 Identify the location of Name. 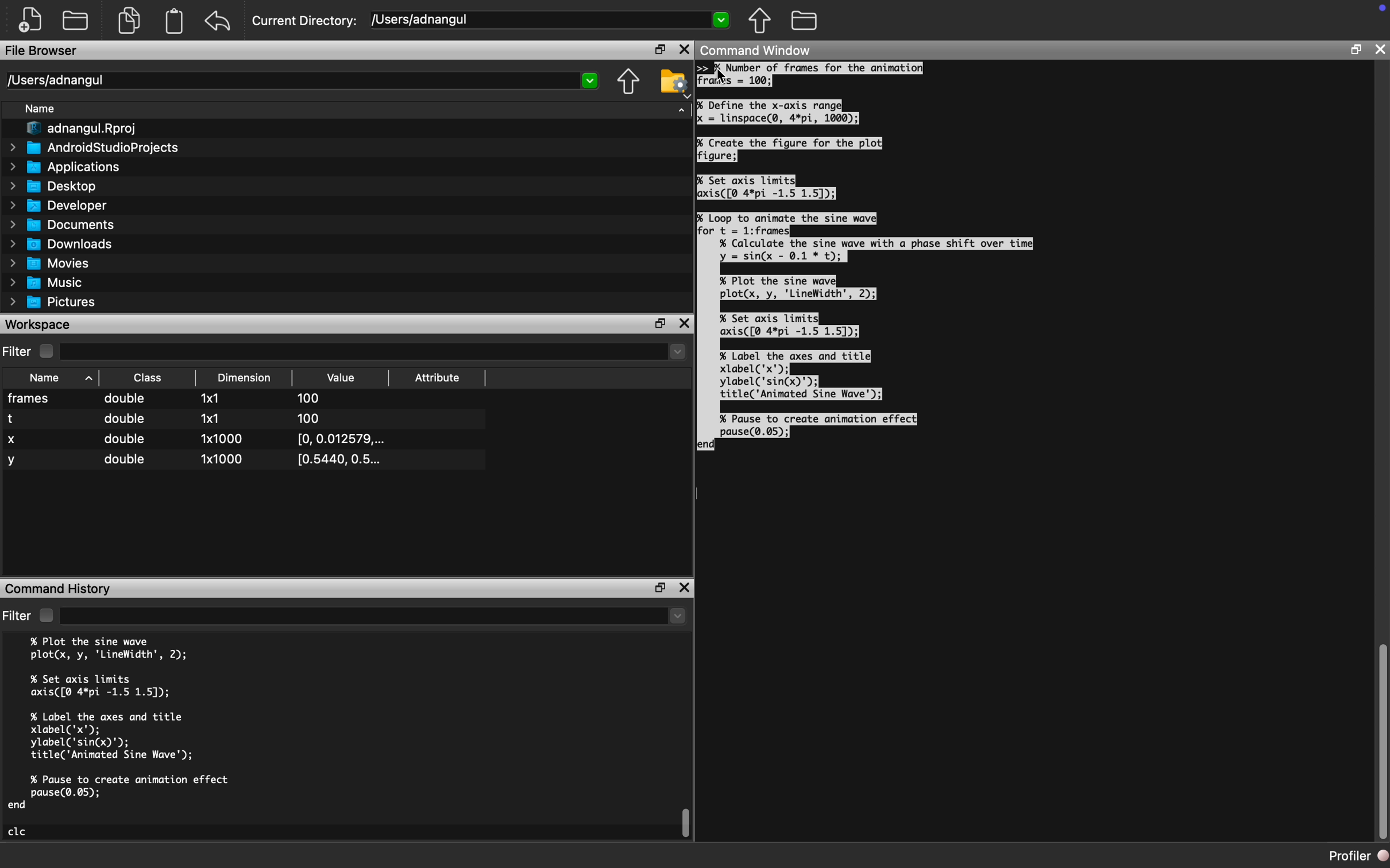
(45, 378).